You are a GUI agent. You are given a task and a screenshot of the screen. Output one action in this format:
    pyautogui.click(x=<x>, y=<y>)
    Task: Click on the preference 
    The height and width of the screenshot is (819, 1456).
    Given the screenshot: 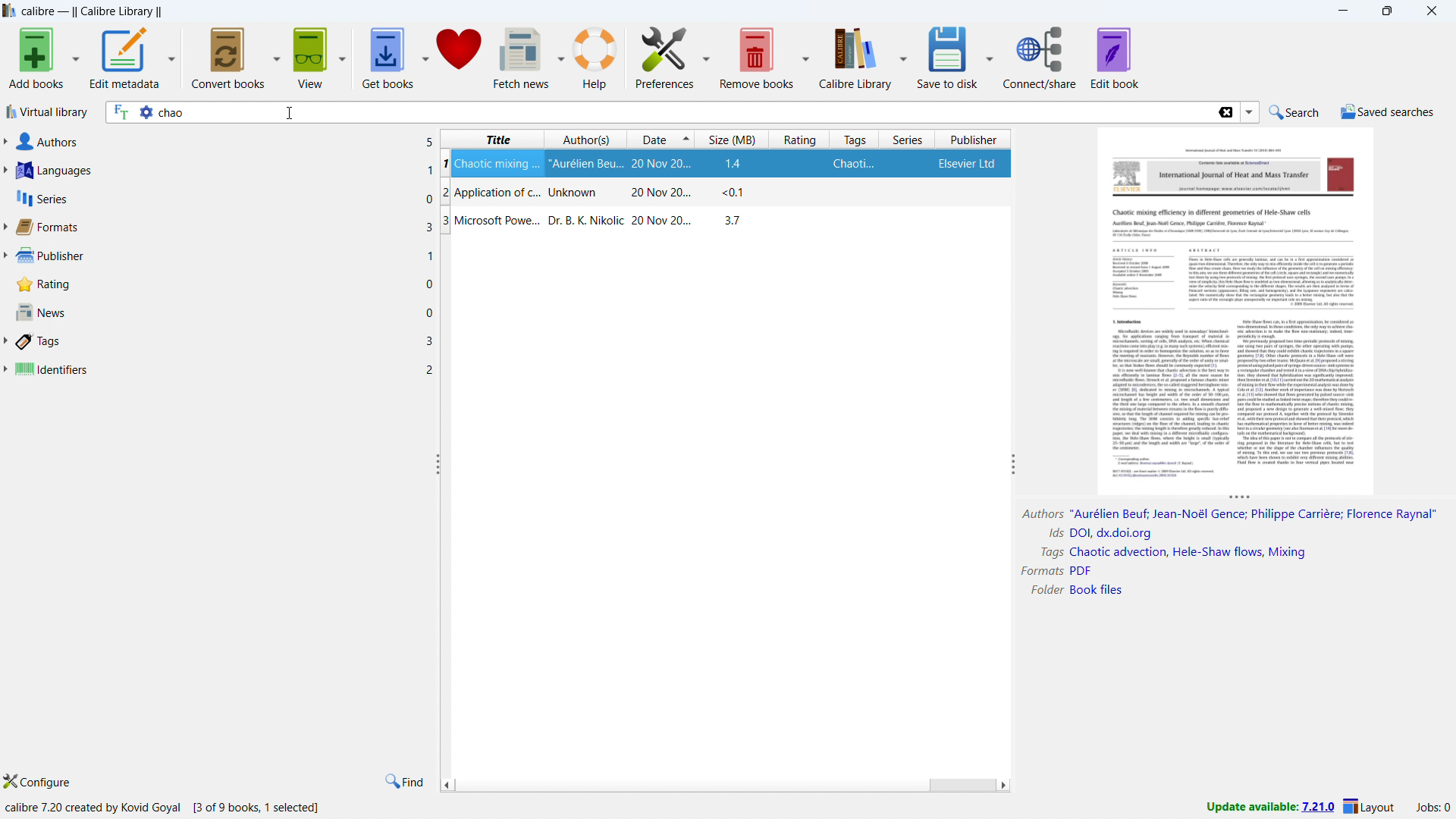 What is the action you would take?
    pyautogui.click(x=664, y=57)
    